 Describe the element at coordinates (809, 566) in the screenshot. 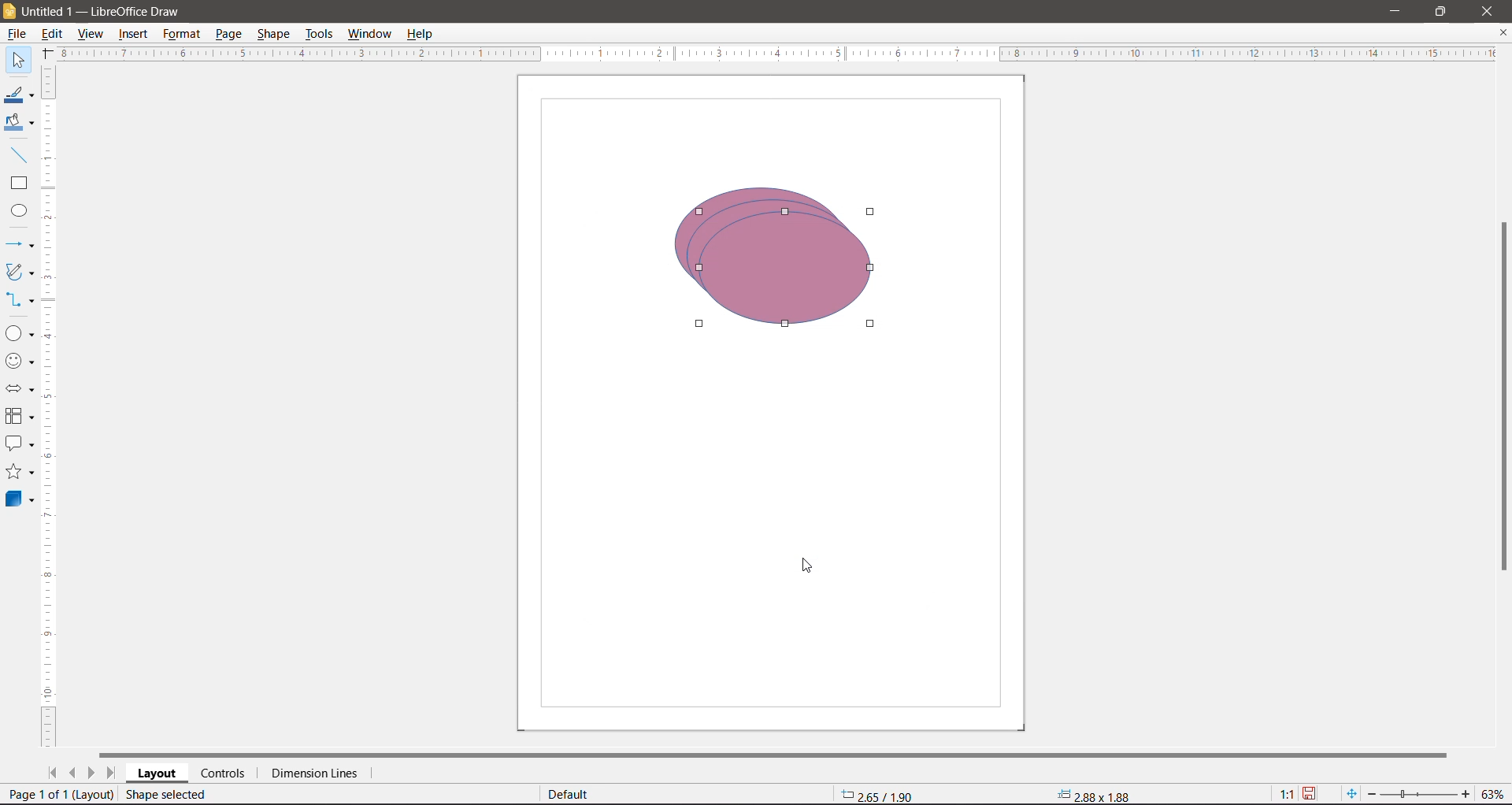

I see `Cursor` at that location.